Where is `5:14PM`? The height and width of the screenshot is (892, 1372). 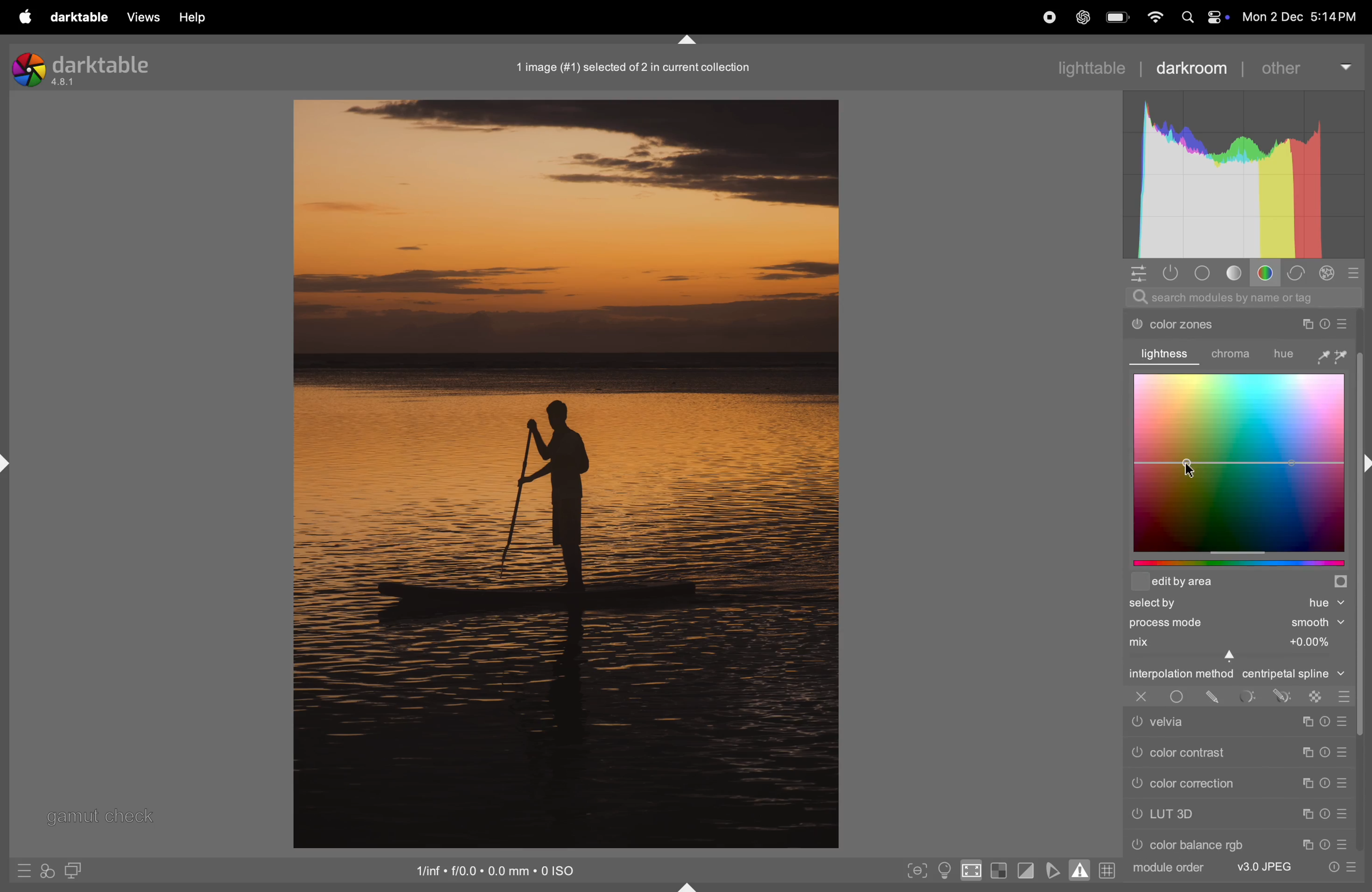 5:14PM is located at coordinates (1333, 17).